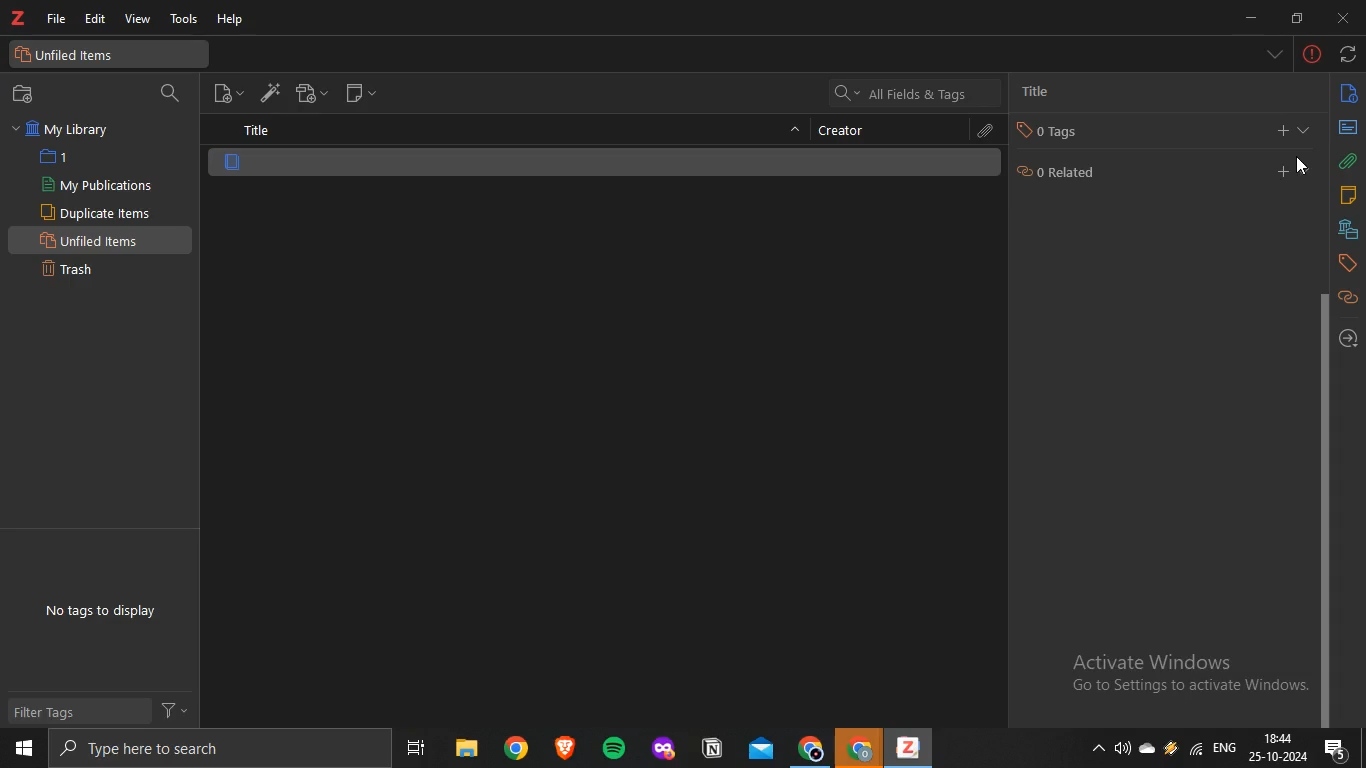  I want to click on collapse section, so click(1306, 130).